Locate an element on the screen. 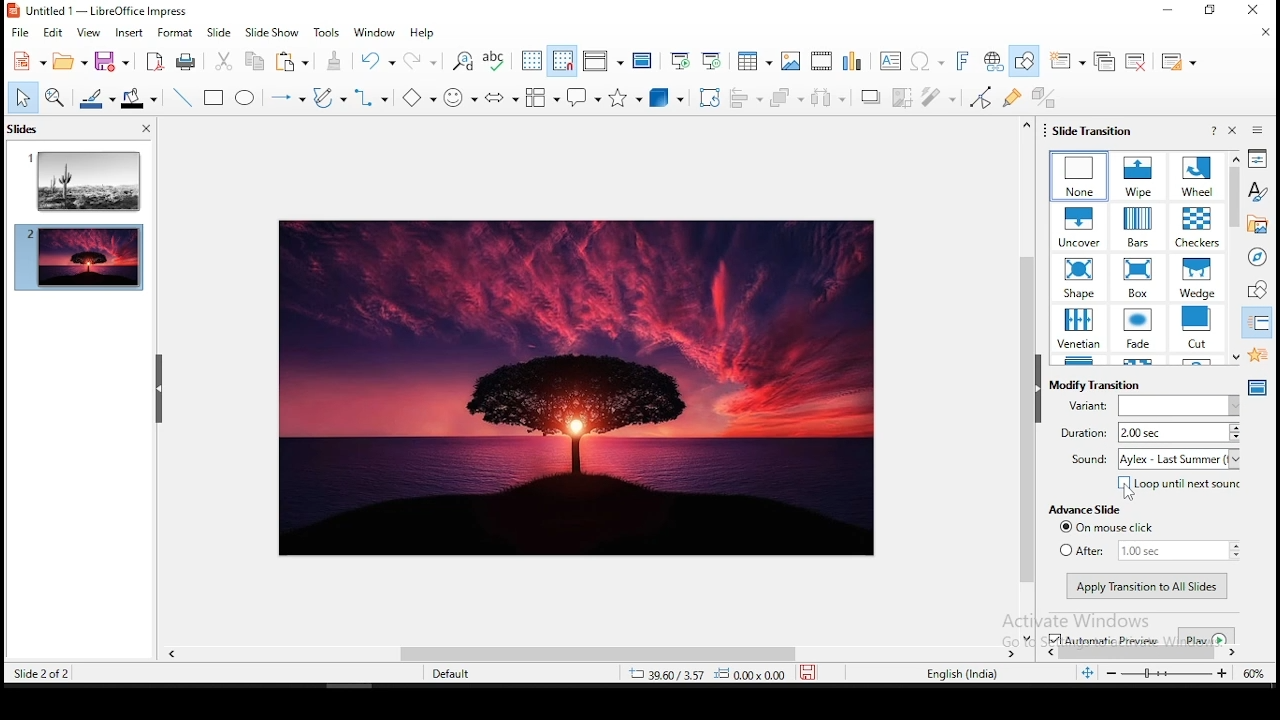  slide show is located at coordinates (275, 33).